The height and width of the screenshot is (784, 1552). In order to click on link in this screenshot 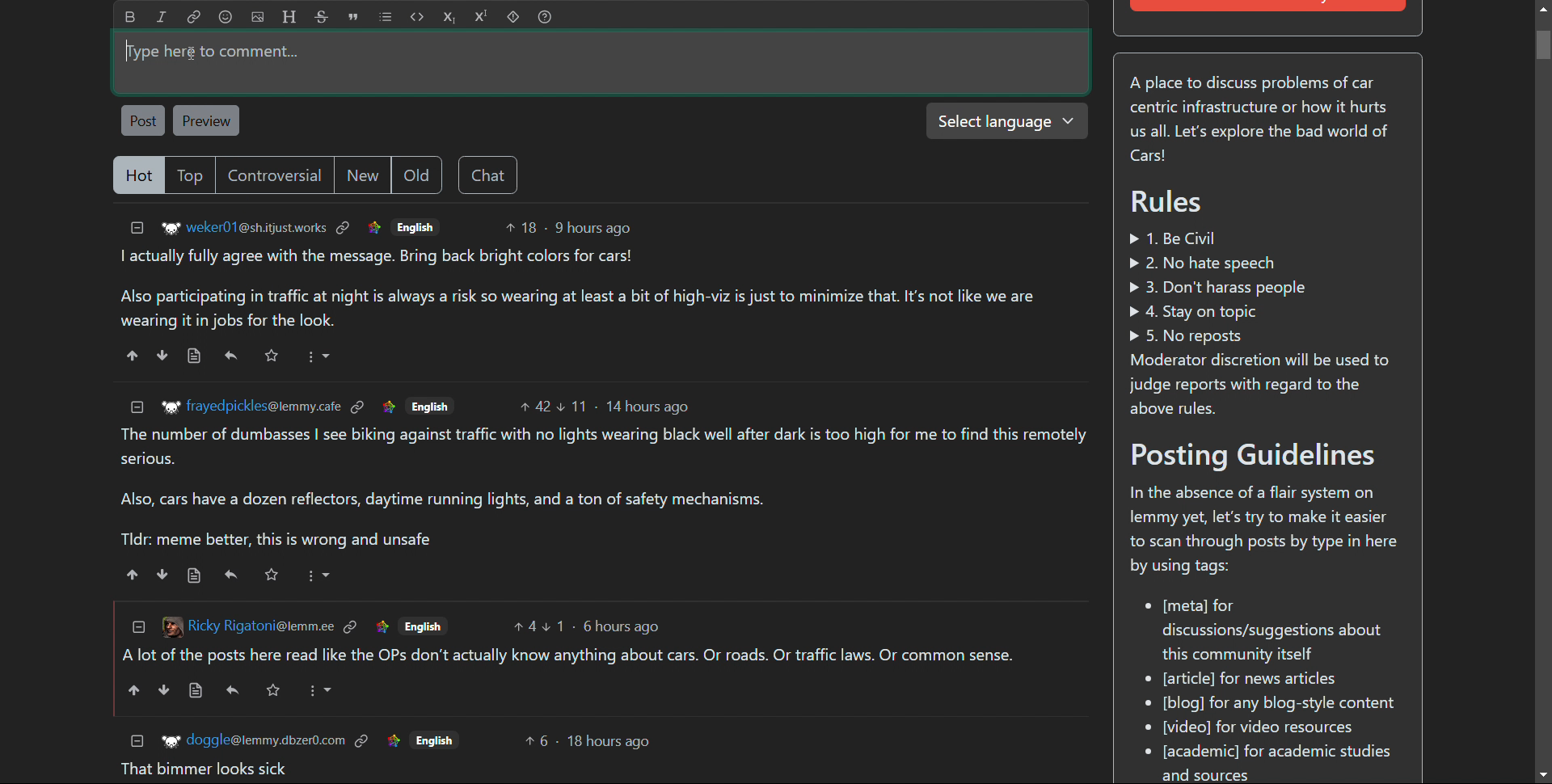, I will do `click(344, 228)`.